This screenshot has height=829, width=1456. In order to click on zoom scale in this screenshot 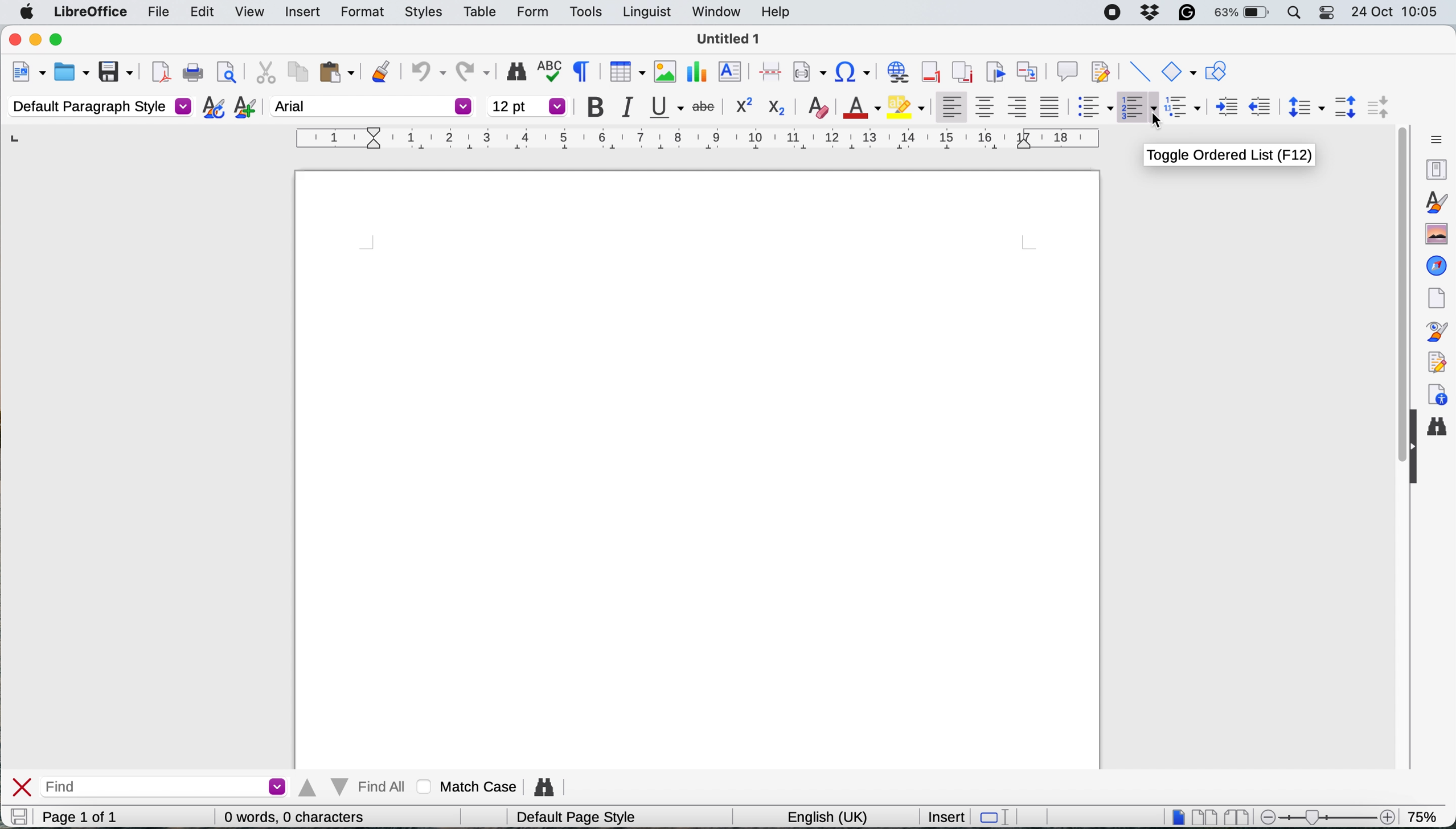, I will do `click(1331, 813)`.